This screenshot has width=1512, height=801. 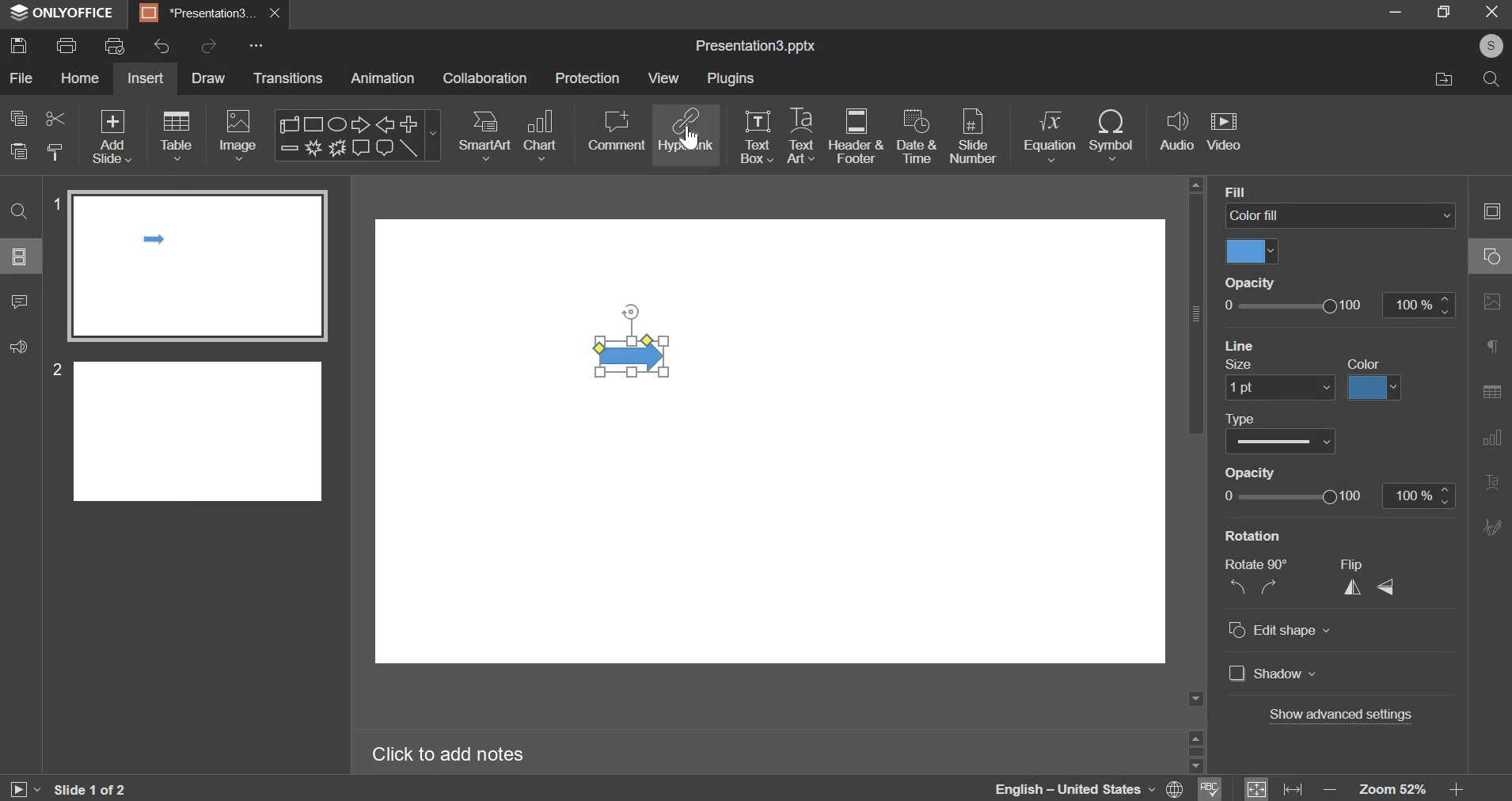 I want to click on right arrow, so click(x=357, y=123).